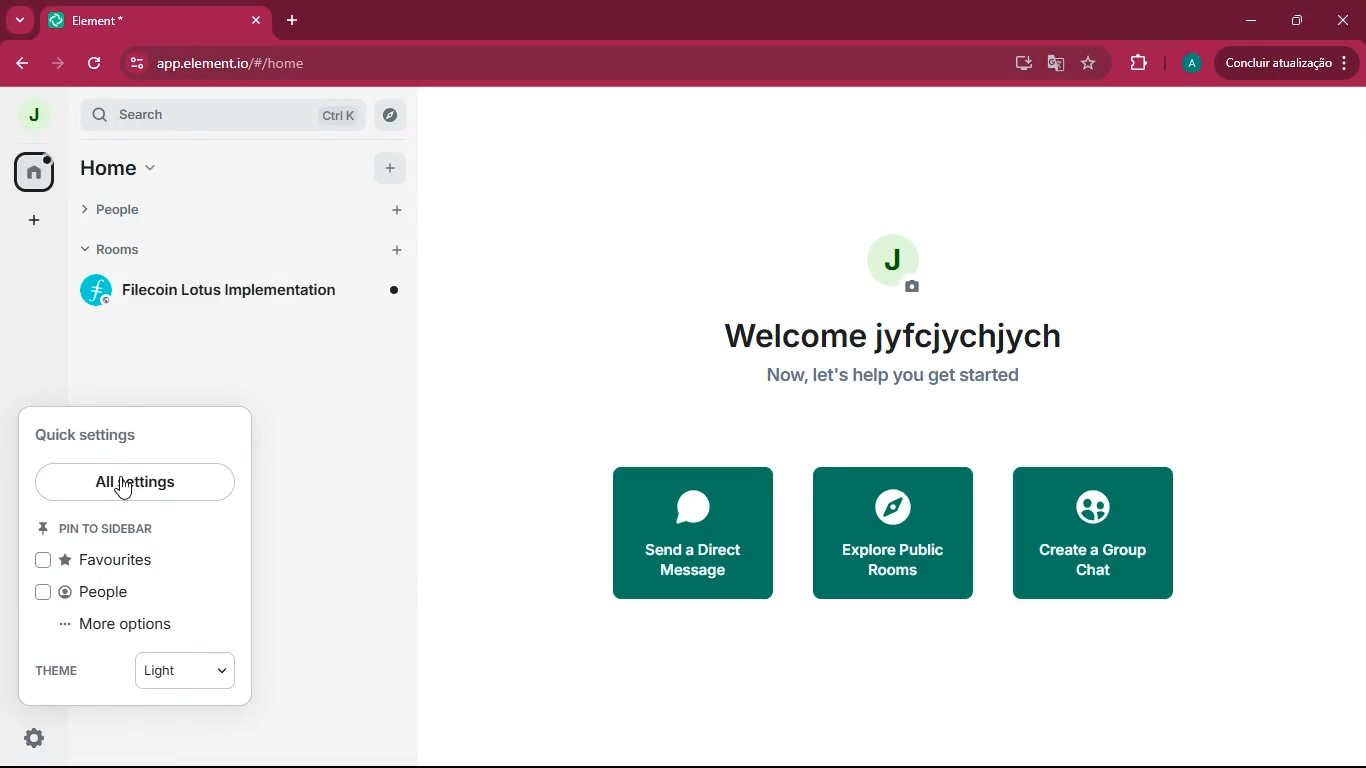 The height and width of the screenshot is (768, 1366). What do you see at coordinates (255, 21) in the screenshot?
I see `close` at bounding box center [255, 21].